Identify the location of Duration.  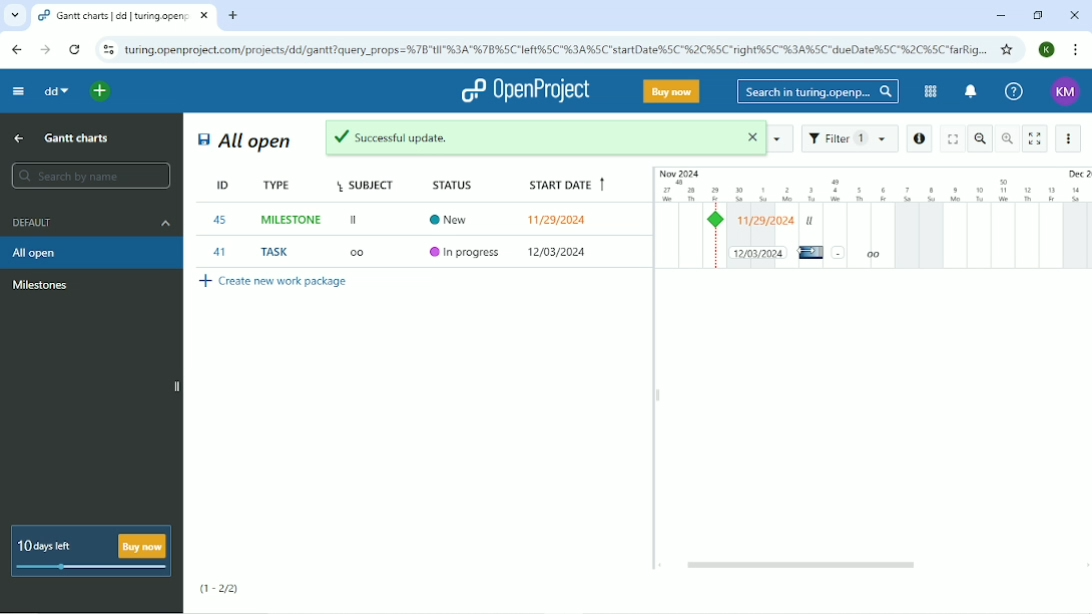
(872, 184).